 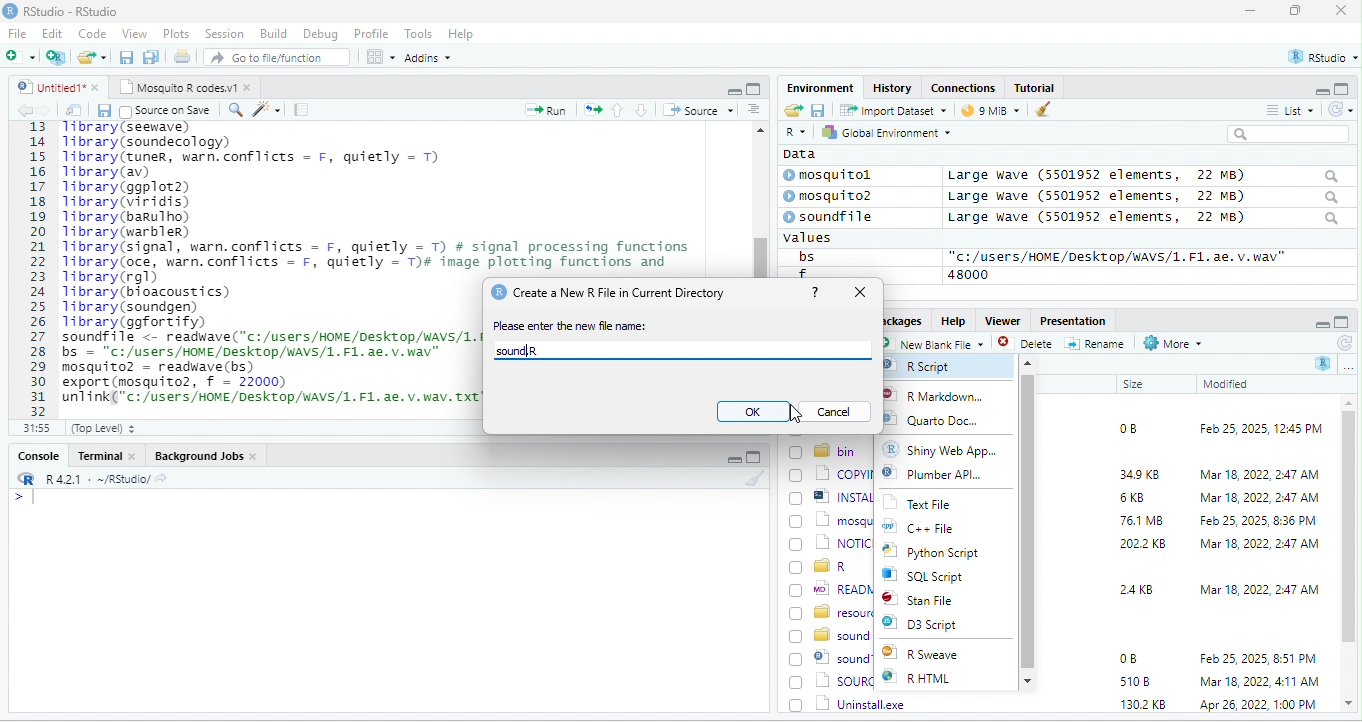 What do you see at coordinates (28, 111) in the screenshot?
I see `back` at bounding box center [28, 111].